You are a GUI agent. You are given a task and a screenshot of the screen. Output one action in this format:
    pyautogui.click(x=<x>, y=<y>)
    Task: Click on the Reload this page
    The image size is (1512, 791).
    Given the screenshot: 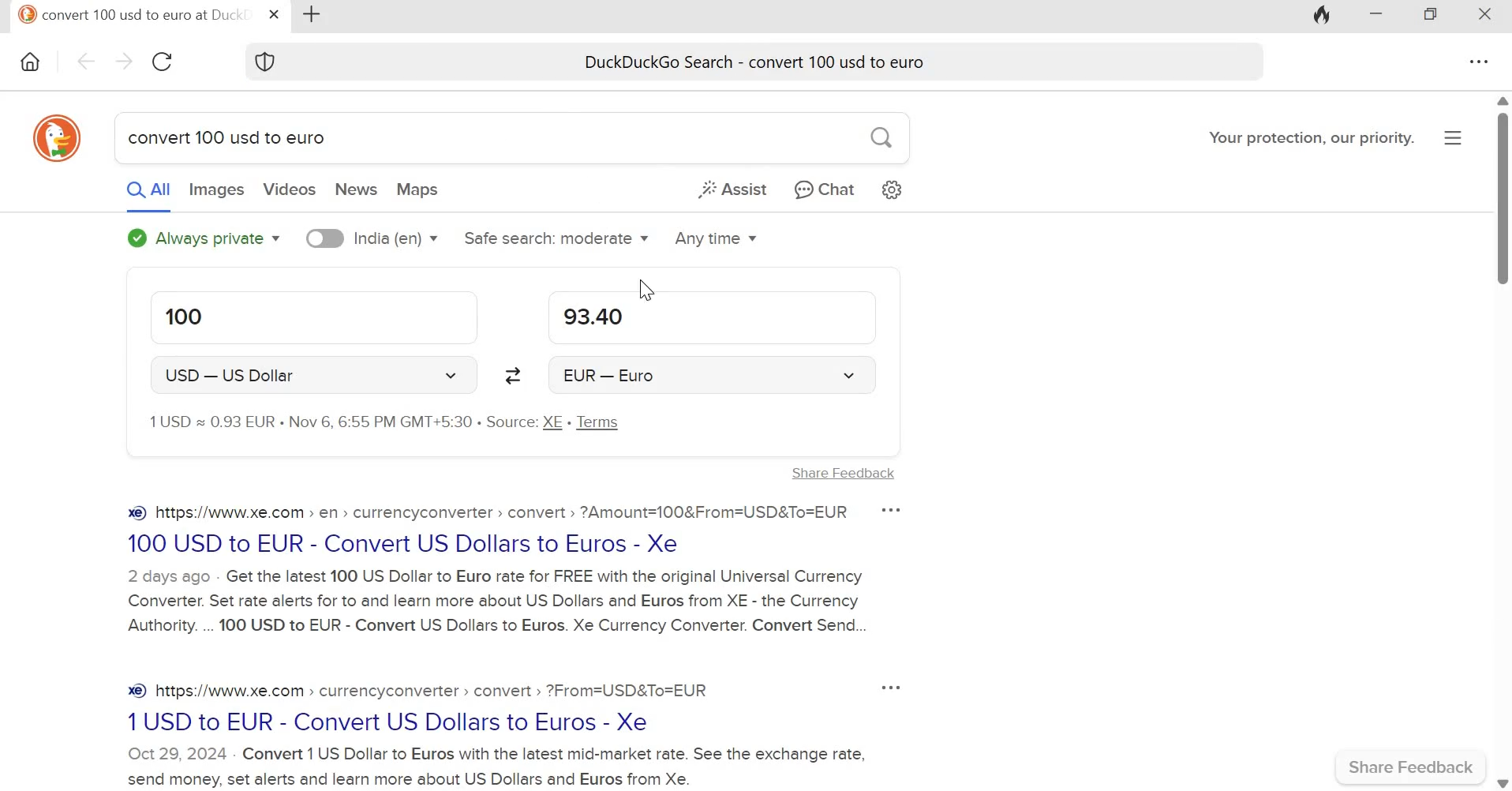 What is the action you would take?
    pyautogui.click(x=167, y=62)
    